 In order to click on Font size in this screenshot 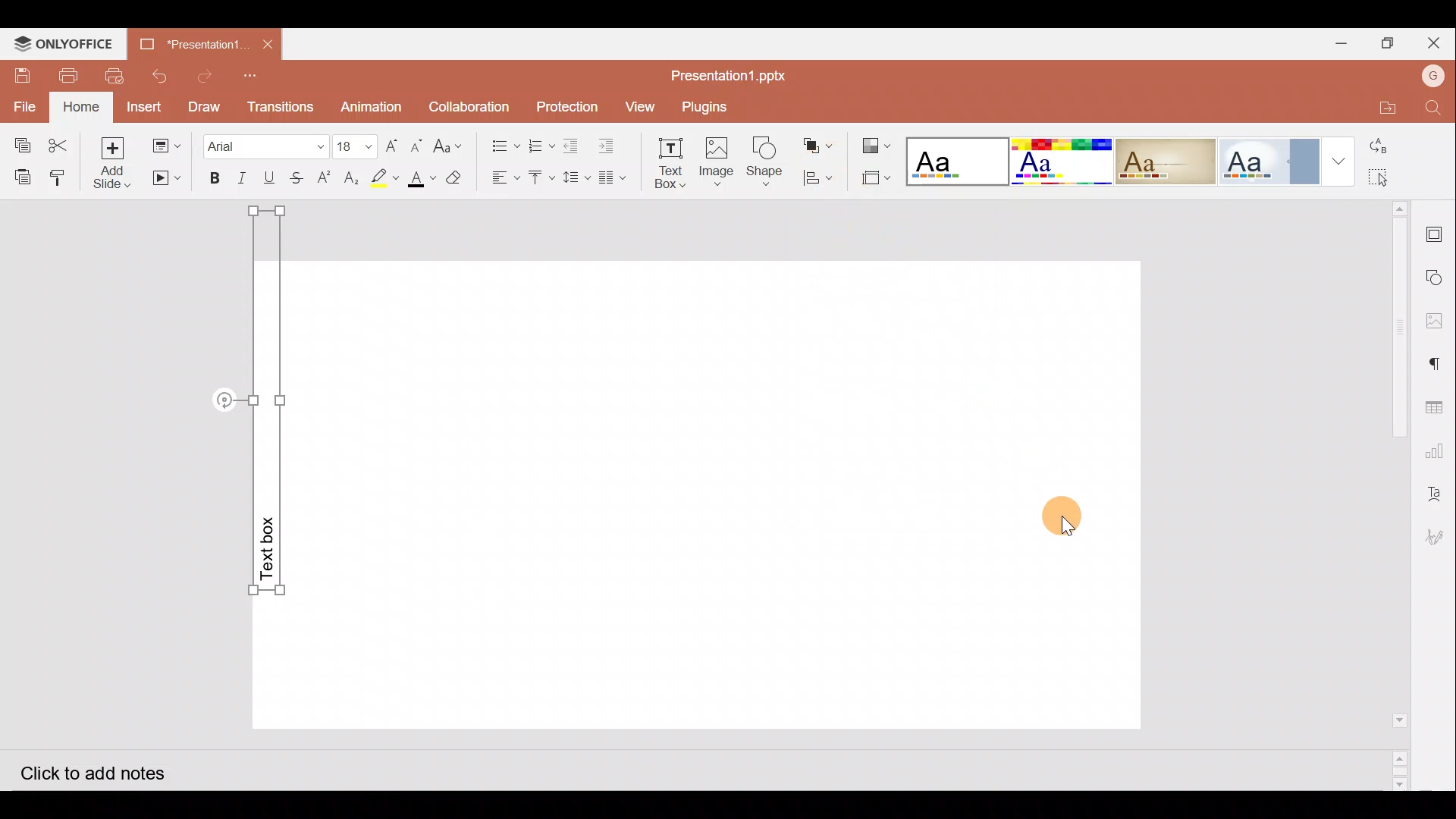, I will do `click(356, 146)`.